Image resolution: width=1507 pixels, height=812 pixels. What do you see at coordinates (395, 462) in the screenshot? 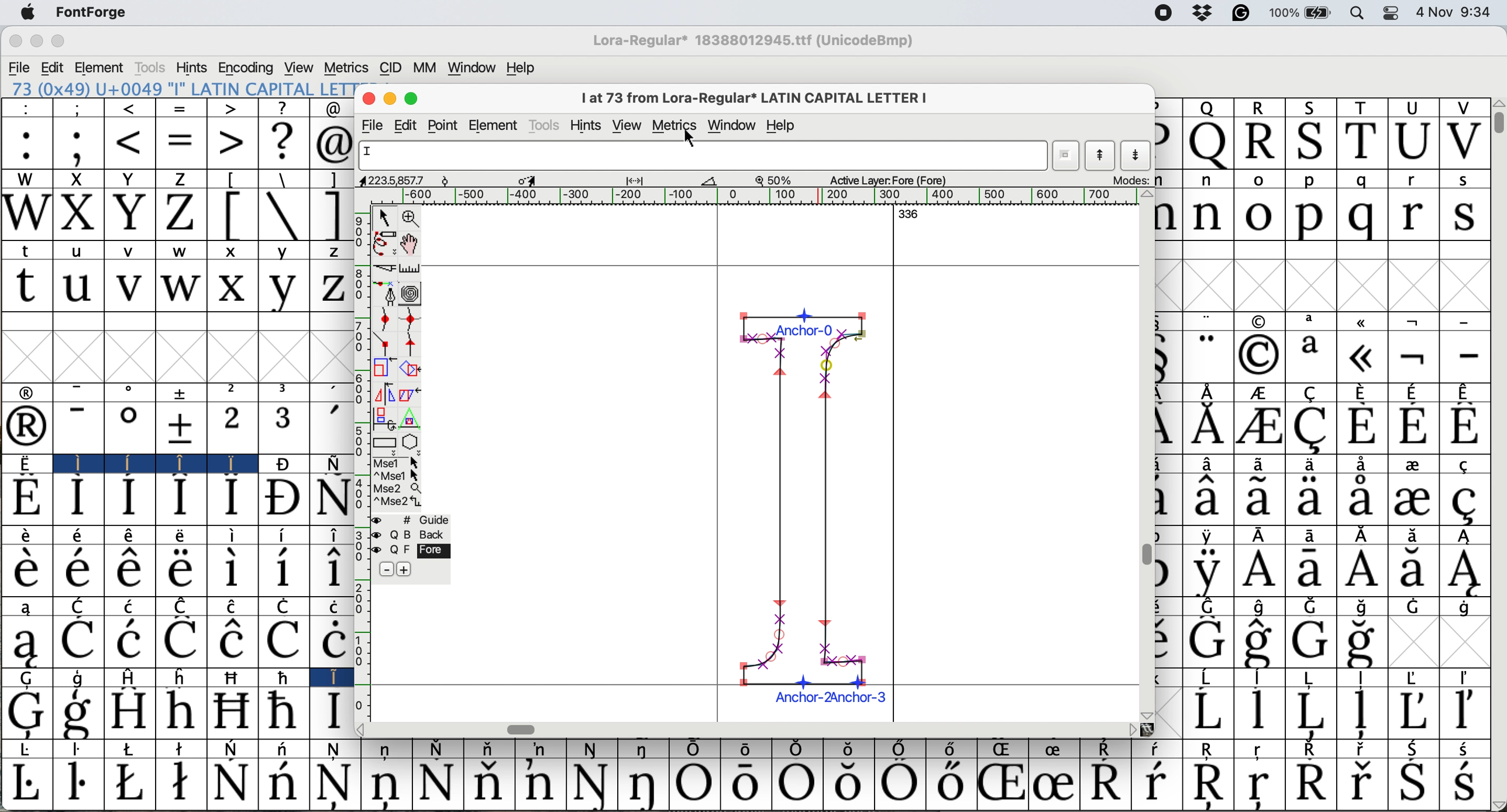
I see `Mse 1` at bounding box center [395, 462].